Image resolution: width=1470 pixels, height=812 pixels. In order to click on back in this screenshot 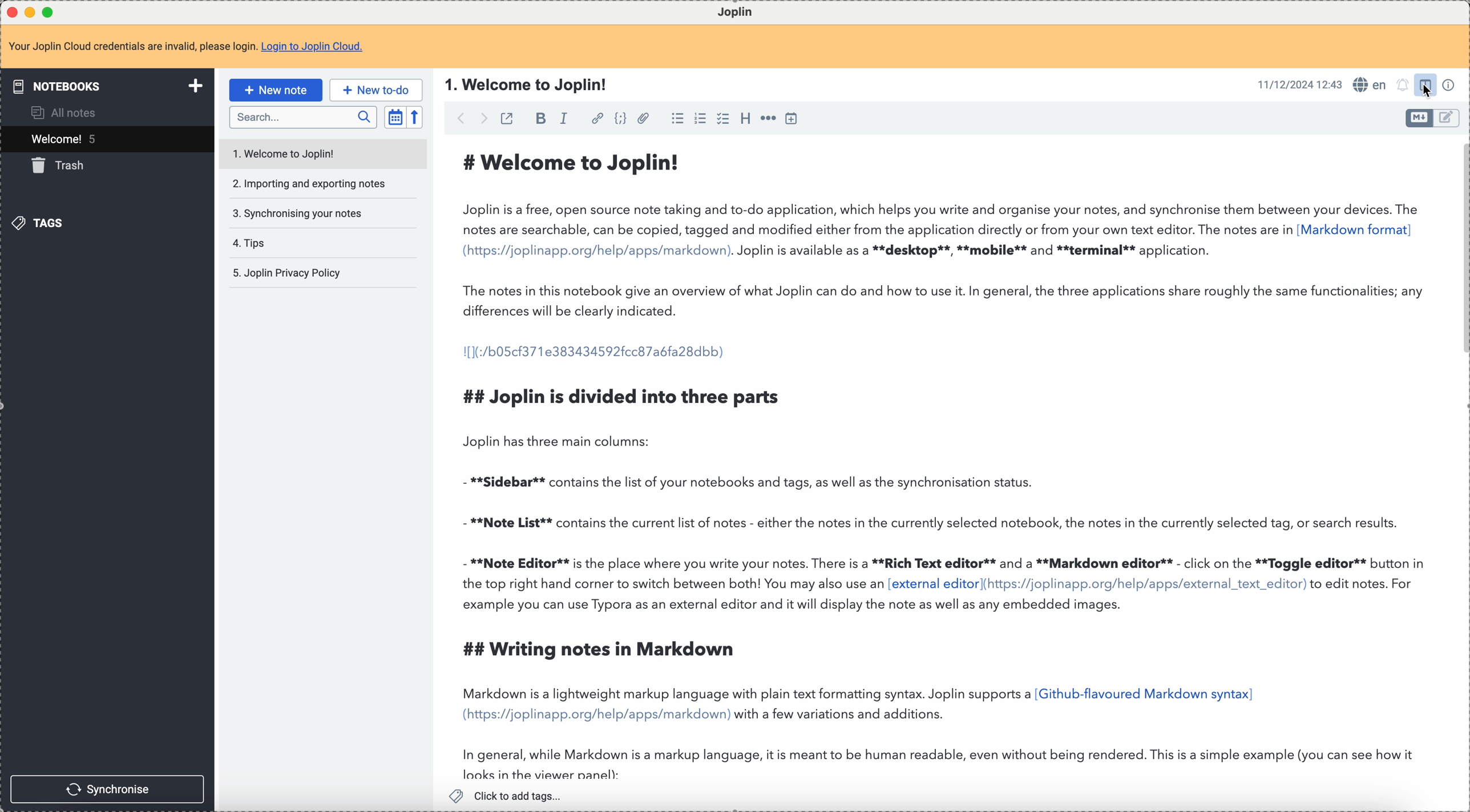, I will do `click(457, 119)`.